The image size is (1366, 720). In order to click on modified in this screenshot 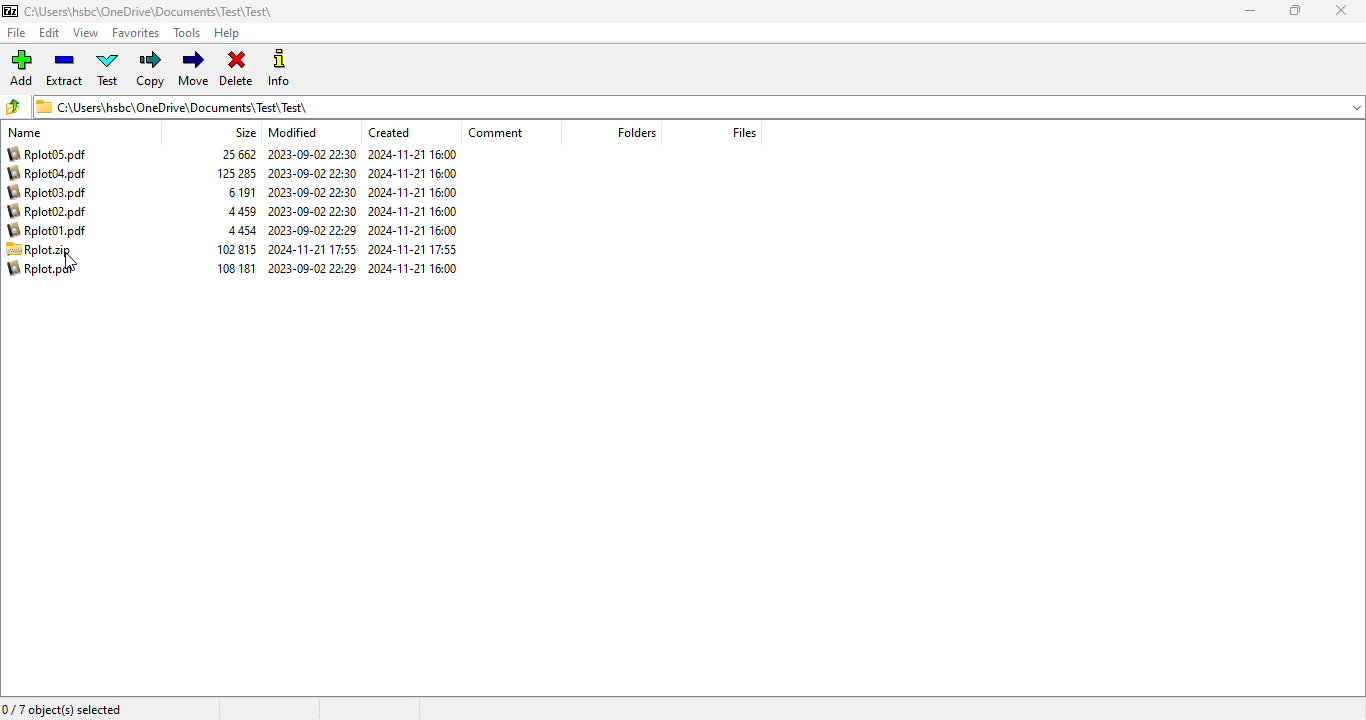, I will do `click(294, 133)`.